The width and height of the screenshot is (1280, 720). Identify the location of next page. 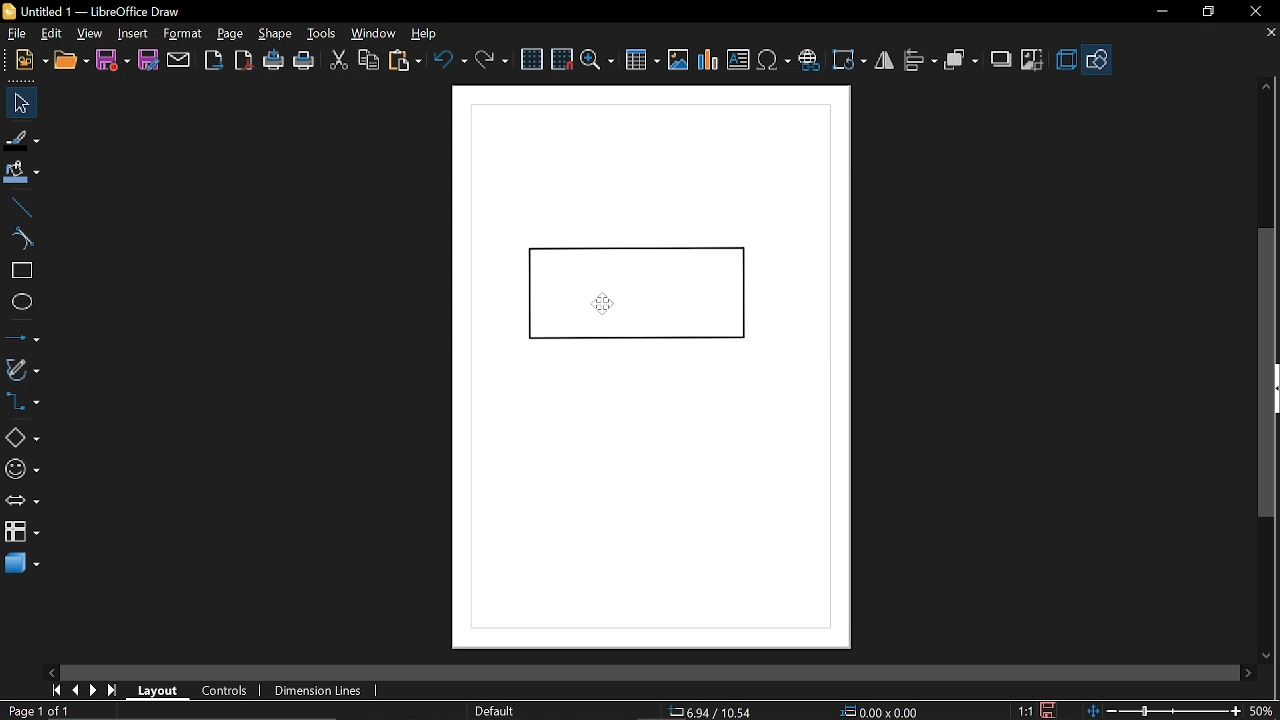
(93, 691).